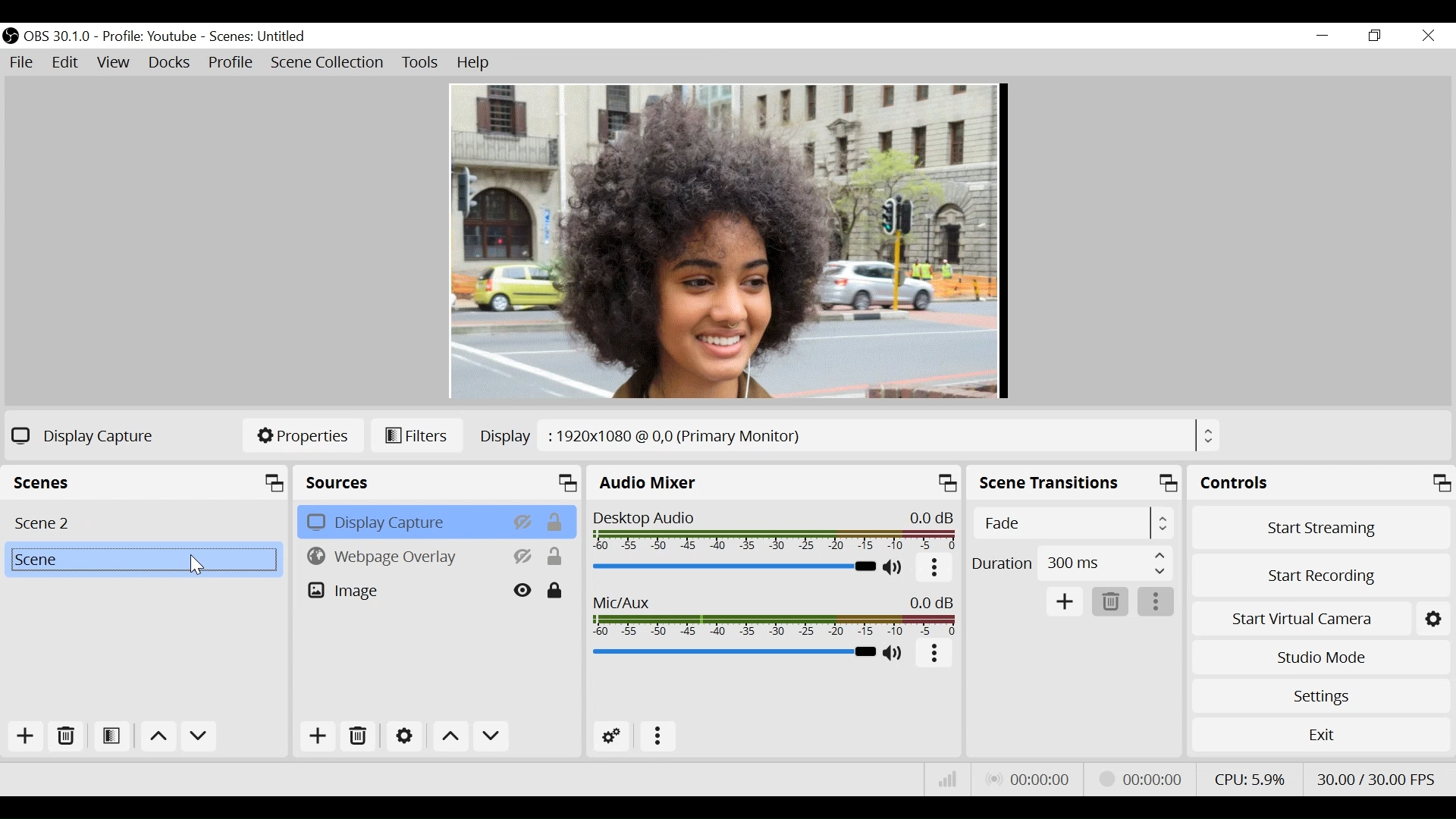 Image resolution: width=1456 pixels, height=819 pixels. Describe the element at coordinates (402, 555) in the screenshot. I see `Webpage Overlay` at that location.